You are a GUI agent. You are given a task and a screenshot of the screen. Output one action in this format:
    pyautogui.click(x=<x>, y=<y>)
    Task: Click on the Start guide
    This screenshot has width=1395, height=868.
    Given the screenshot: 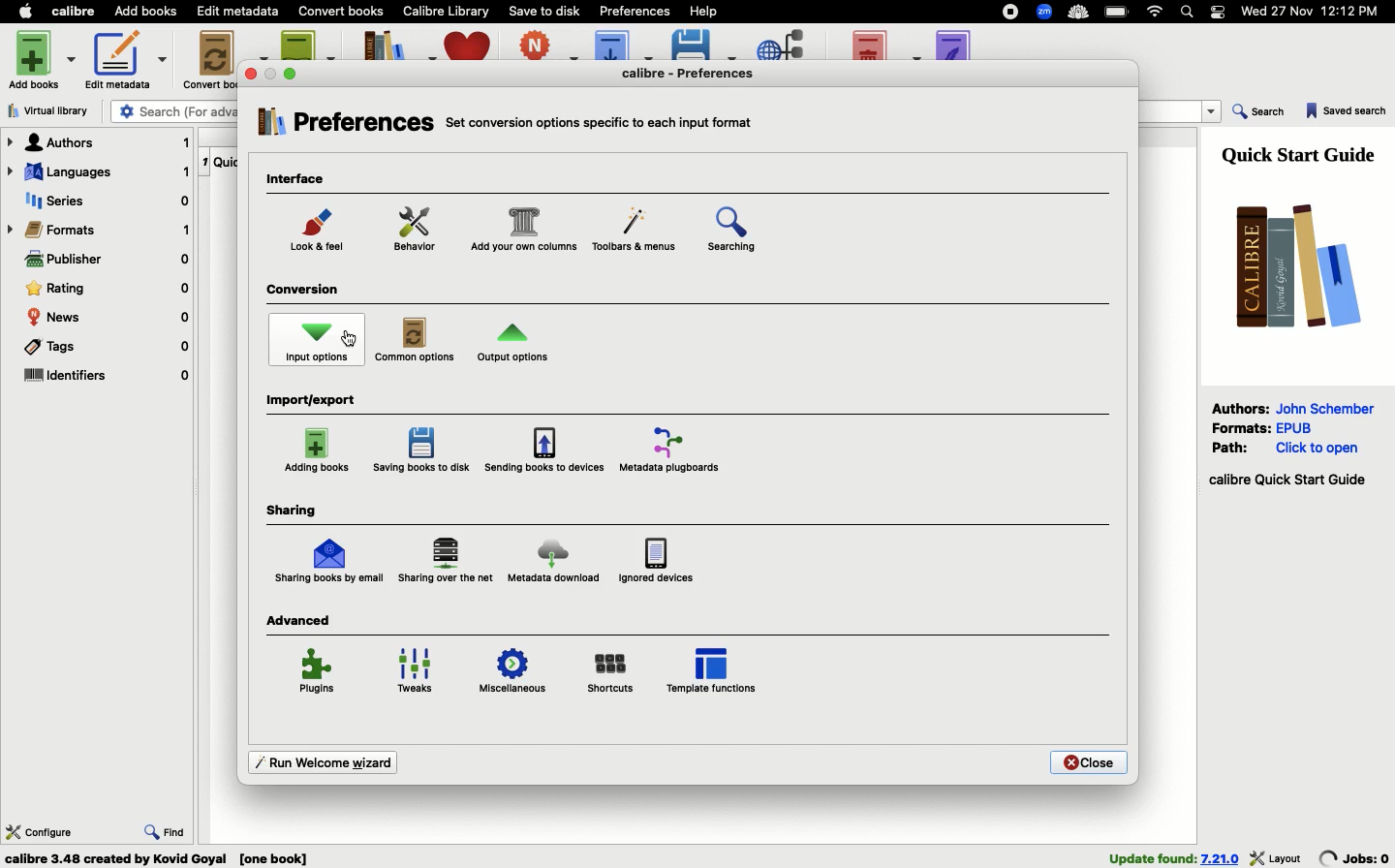 What is the action you would take?
    pyautogui.click(x=1286, y=480)
    